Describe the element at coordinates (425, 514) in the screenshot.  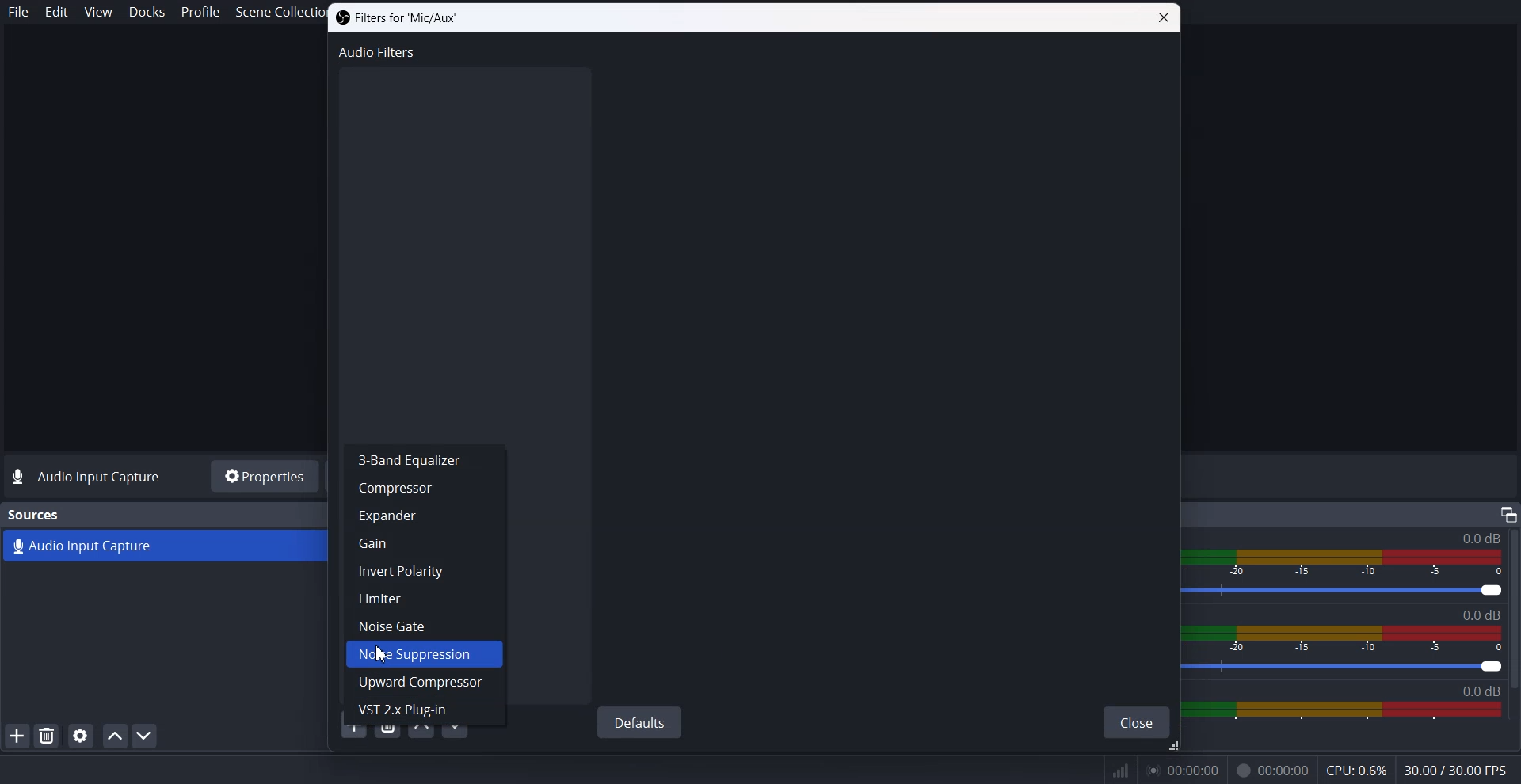
I see `Expander` at that location.